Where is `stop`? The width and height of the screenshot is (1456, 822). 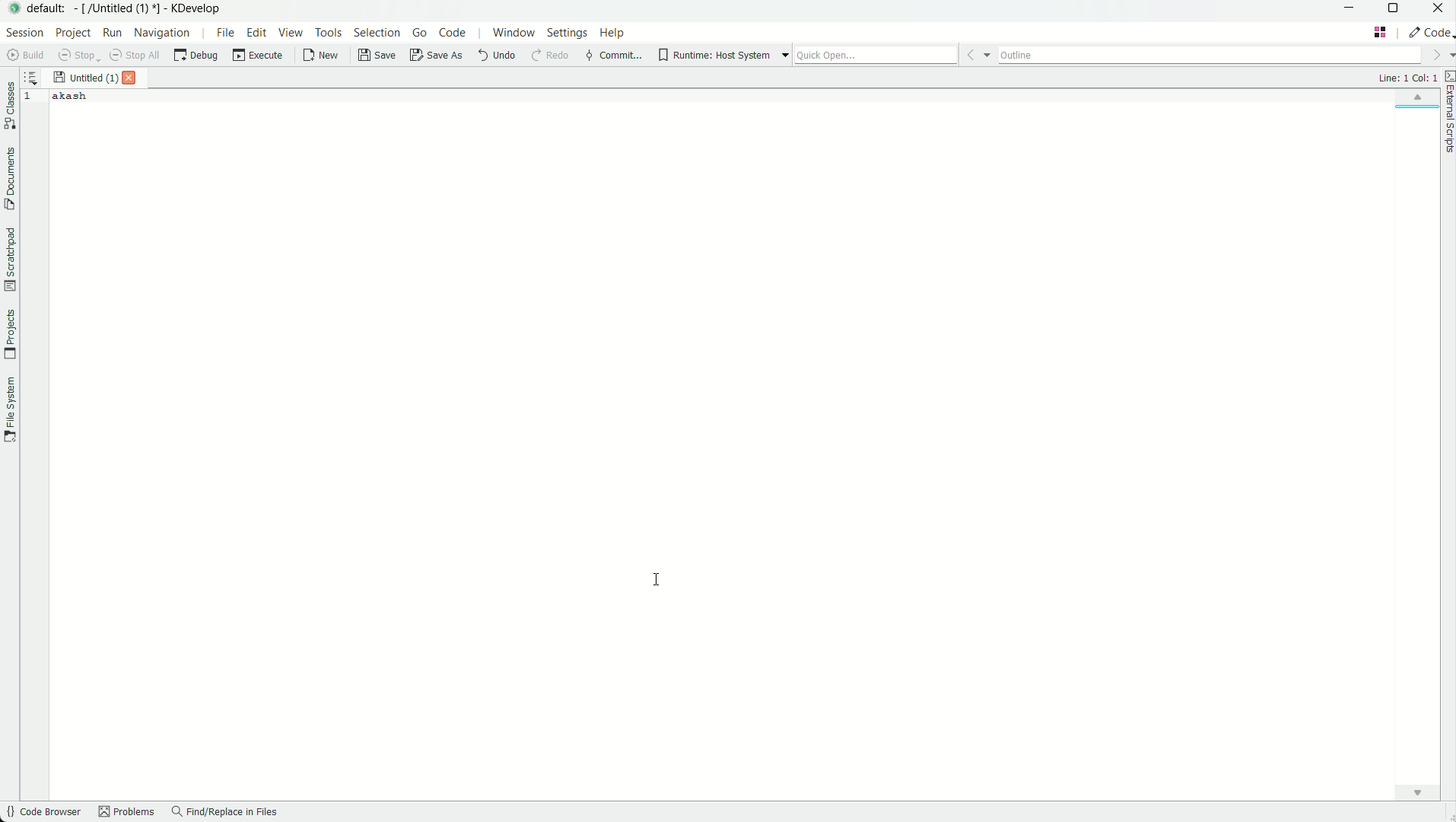
stop is located at coordinates (79, 56).